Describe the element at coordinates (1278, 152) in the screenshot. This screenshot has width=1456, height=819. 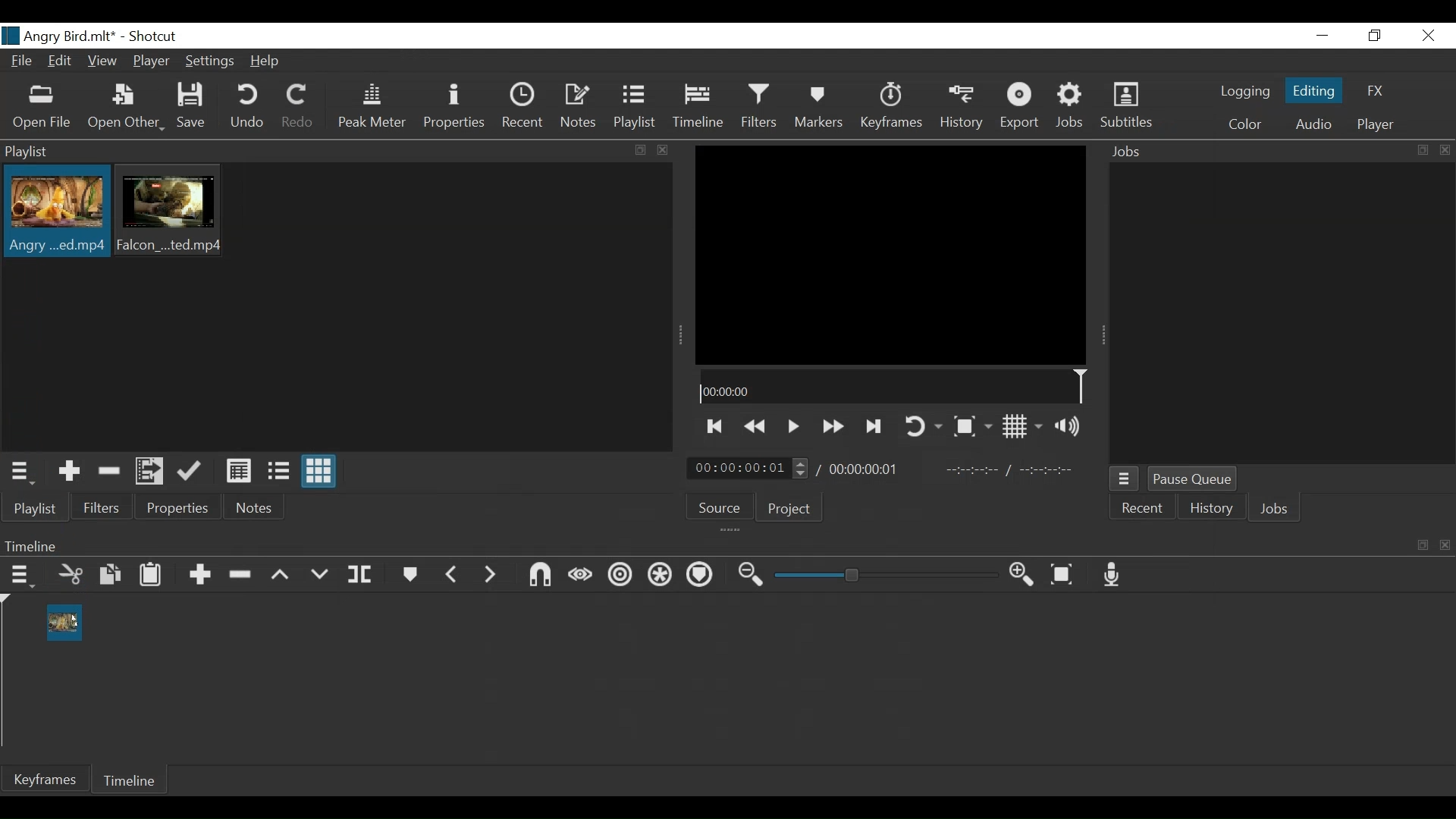
I see `Jobs` at that location.